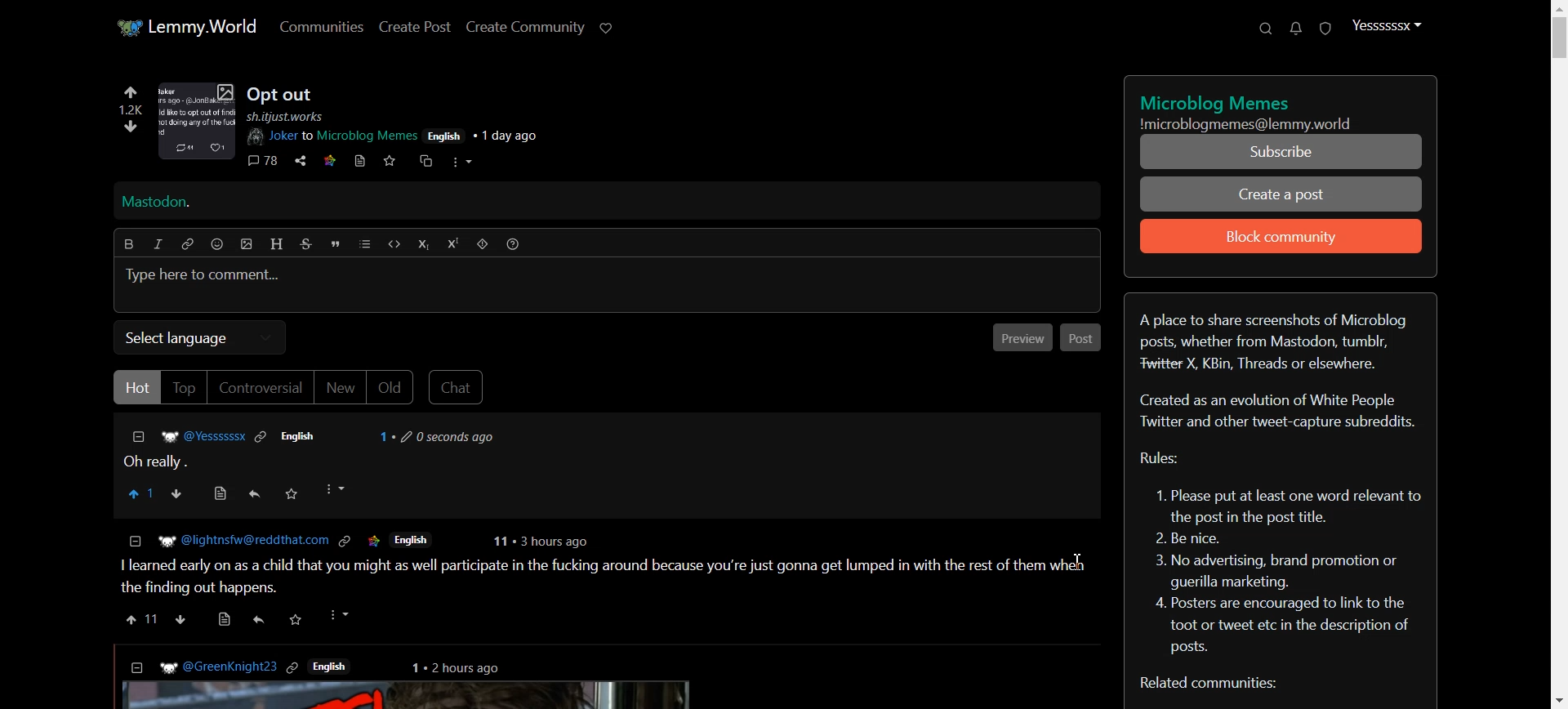 The height and width of the screenshot is (709, 1568). Describe the element at coordinates (130, 243) in the screenshot. I see `Bold ` at that location.